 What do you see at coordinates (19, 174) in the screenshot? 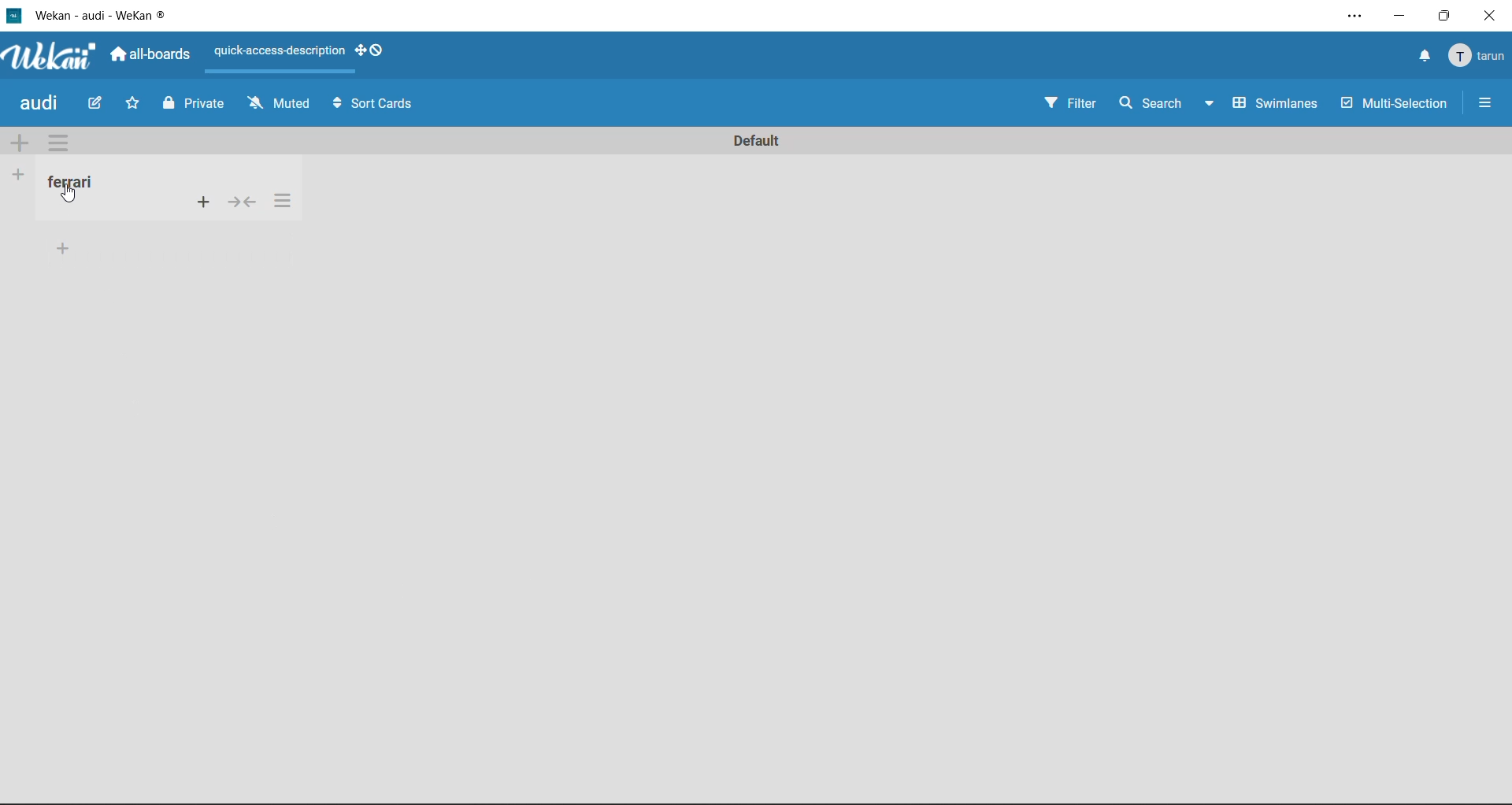
I see `add list` at bounding box center [19, 174].